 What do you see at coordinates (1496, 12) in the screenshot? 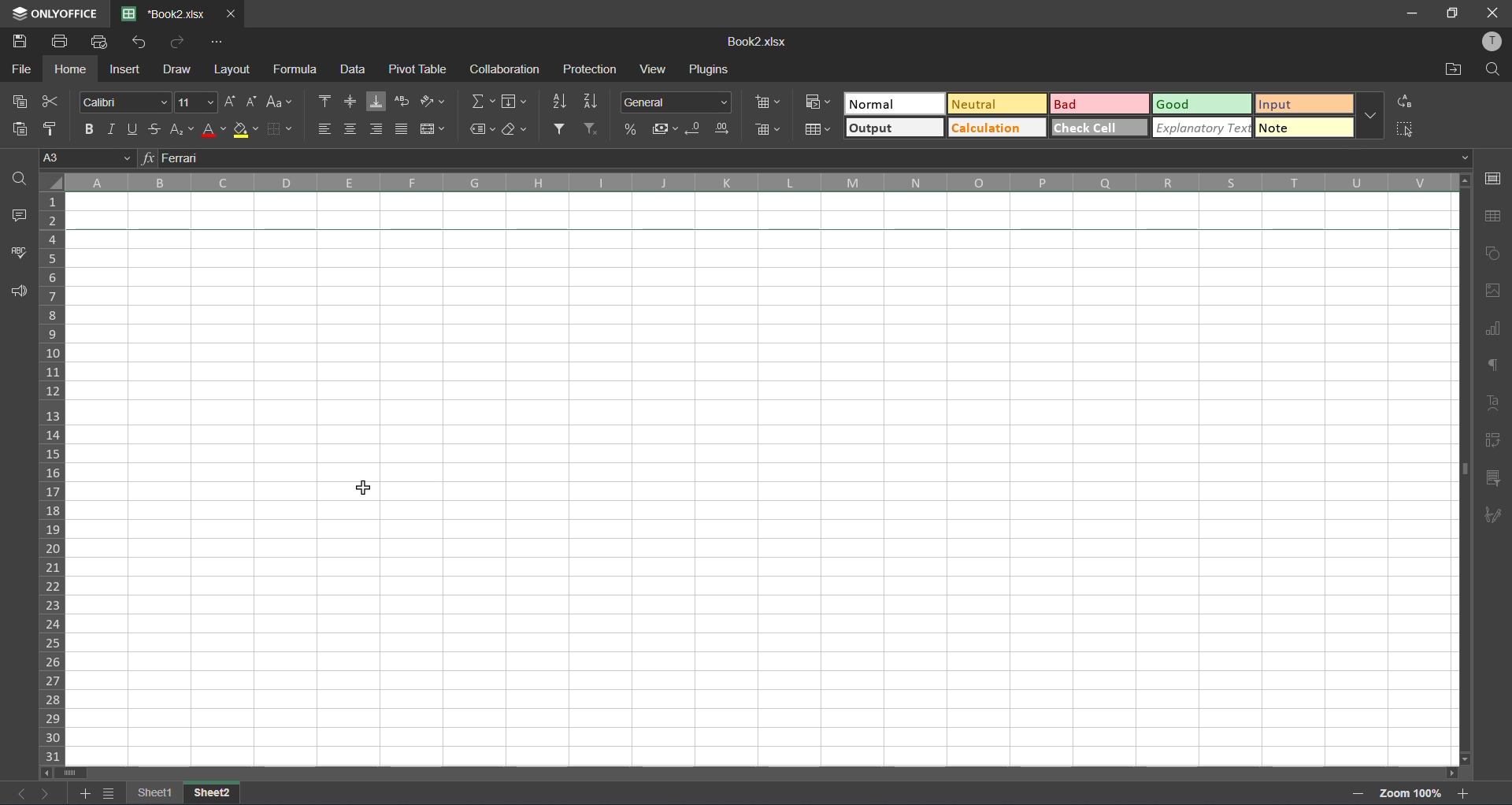
I see `close` at bounding box center [1496, 12].